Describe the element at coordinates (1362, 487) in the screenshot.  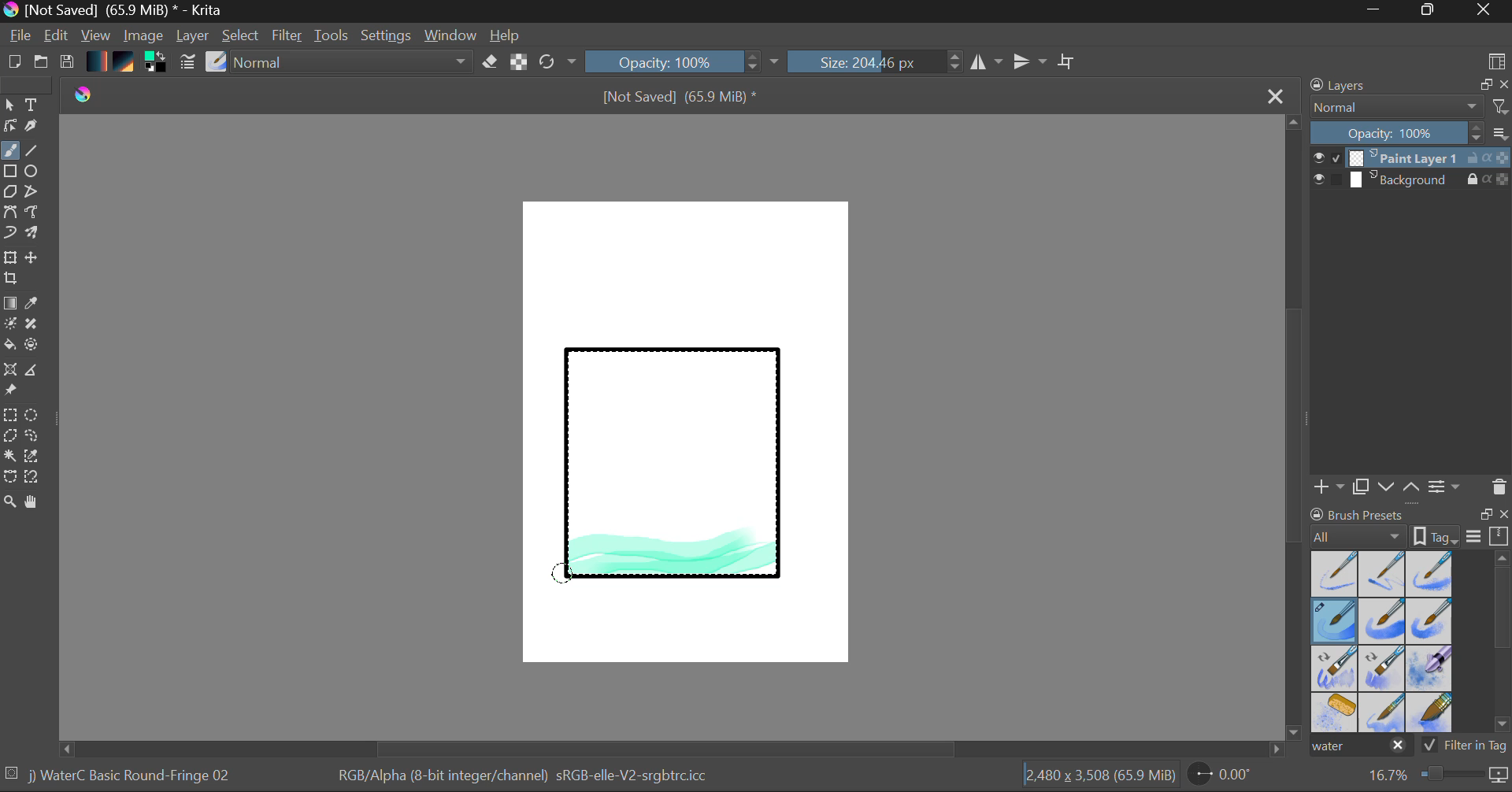
I see `Copy Layer` at that location.